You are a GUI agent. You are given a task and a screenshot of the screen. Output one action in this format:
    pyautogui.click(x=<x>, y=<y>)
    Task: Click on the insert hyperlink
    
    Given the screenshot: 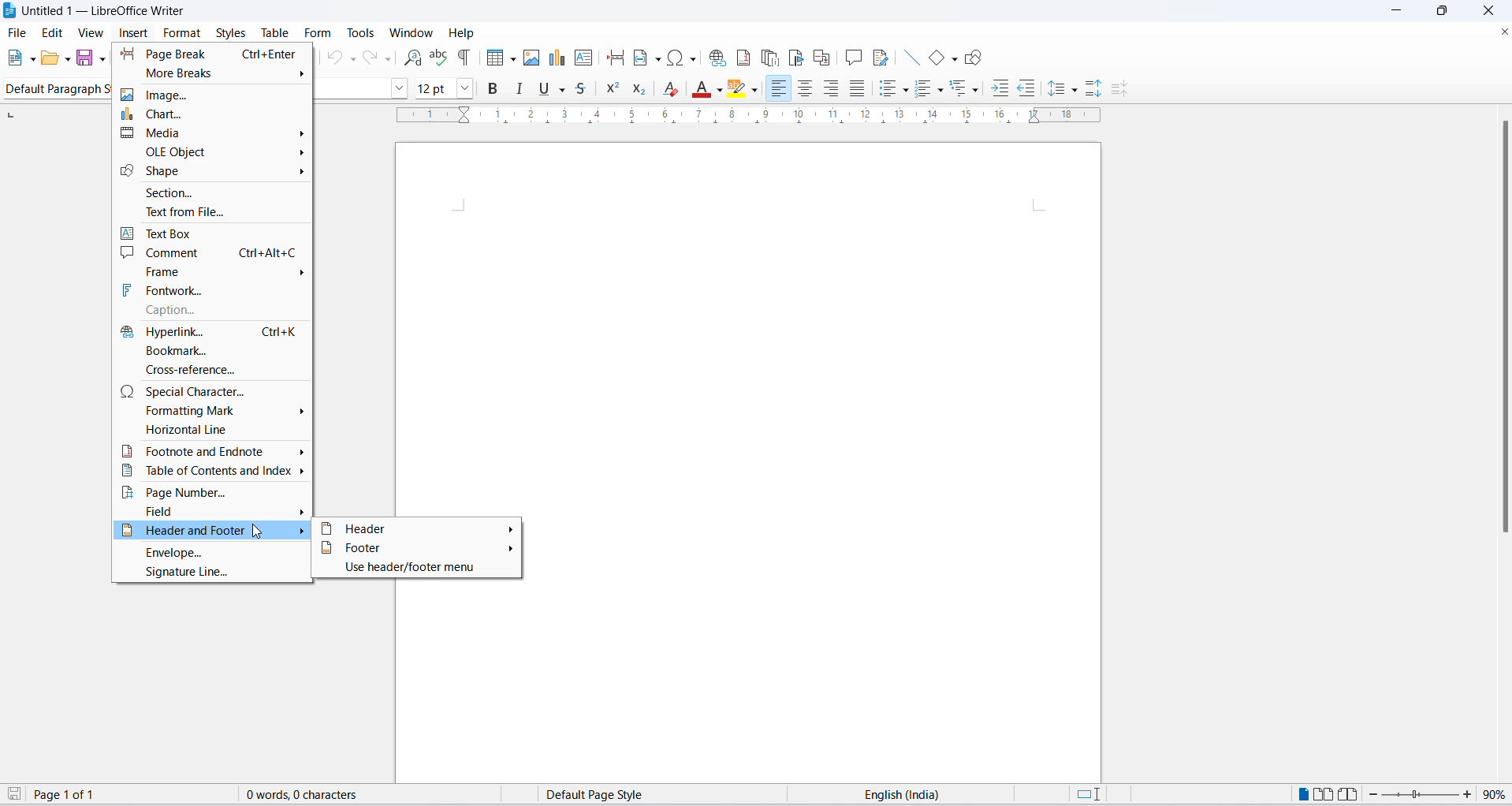 What is the action you would take?
    pyautogui.click(x=716, y=59)
    